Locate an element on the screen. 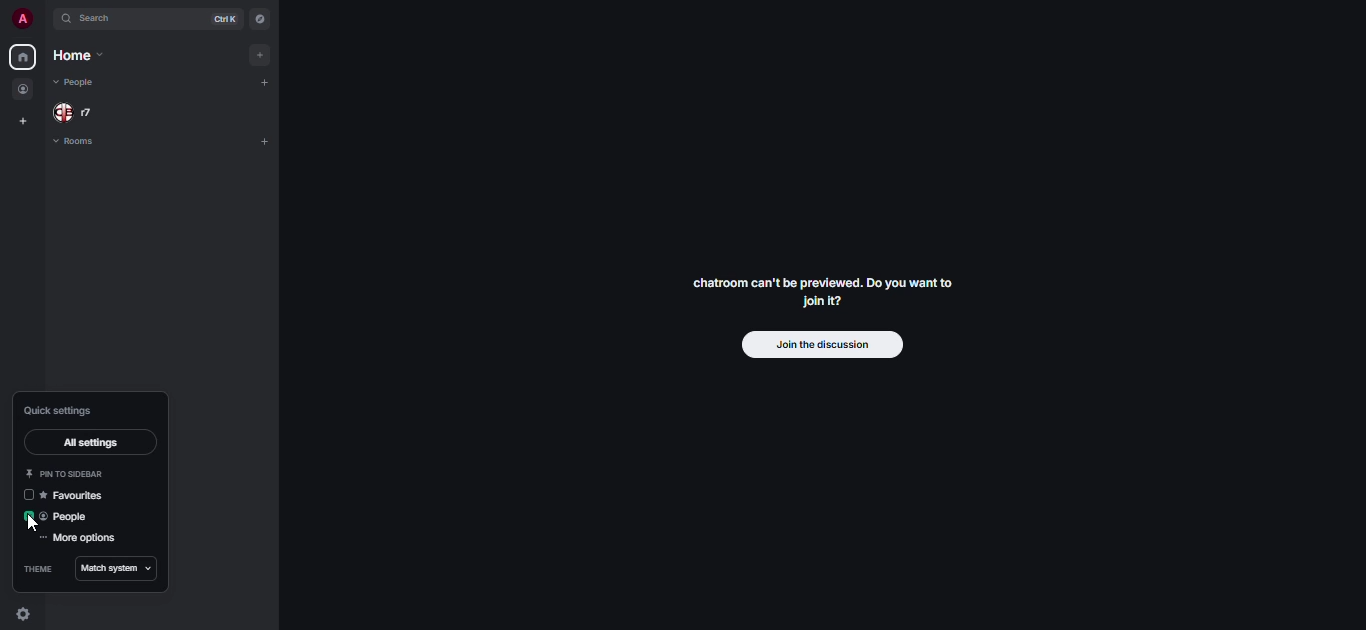 The image size is (1366, 630). expand is located at coordinates (46, 19).